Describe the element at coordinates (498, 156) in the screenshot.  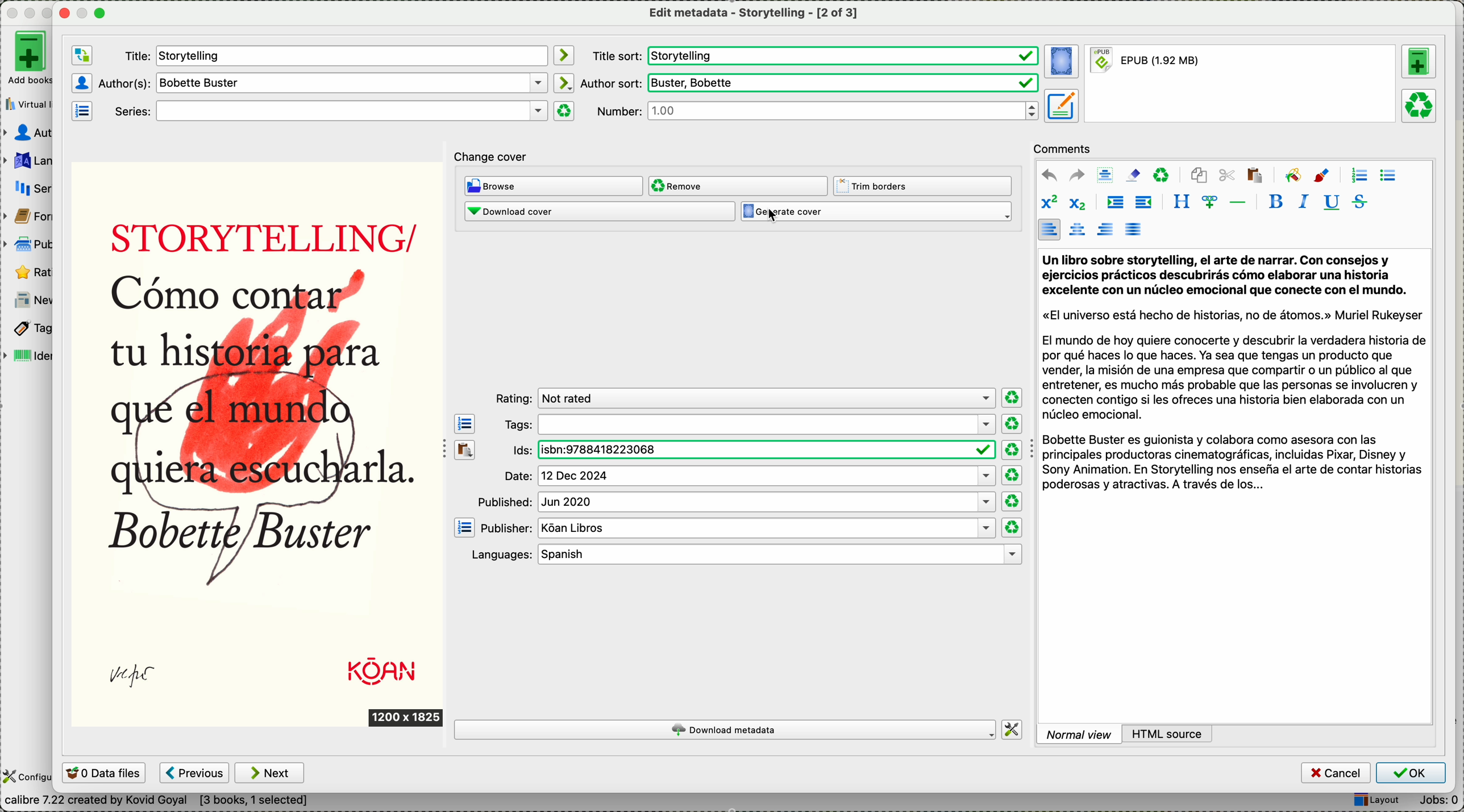
I see `change cover` at that location.